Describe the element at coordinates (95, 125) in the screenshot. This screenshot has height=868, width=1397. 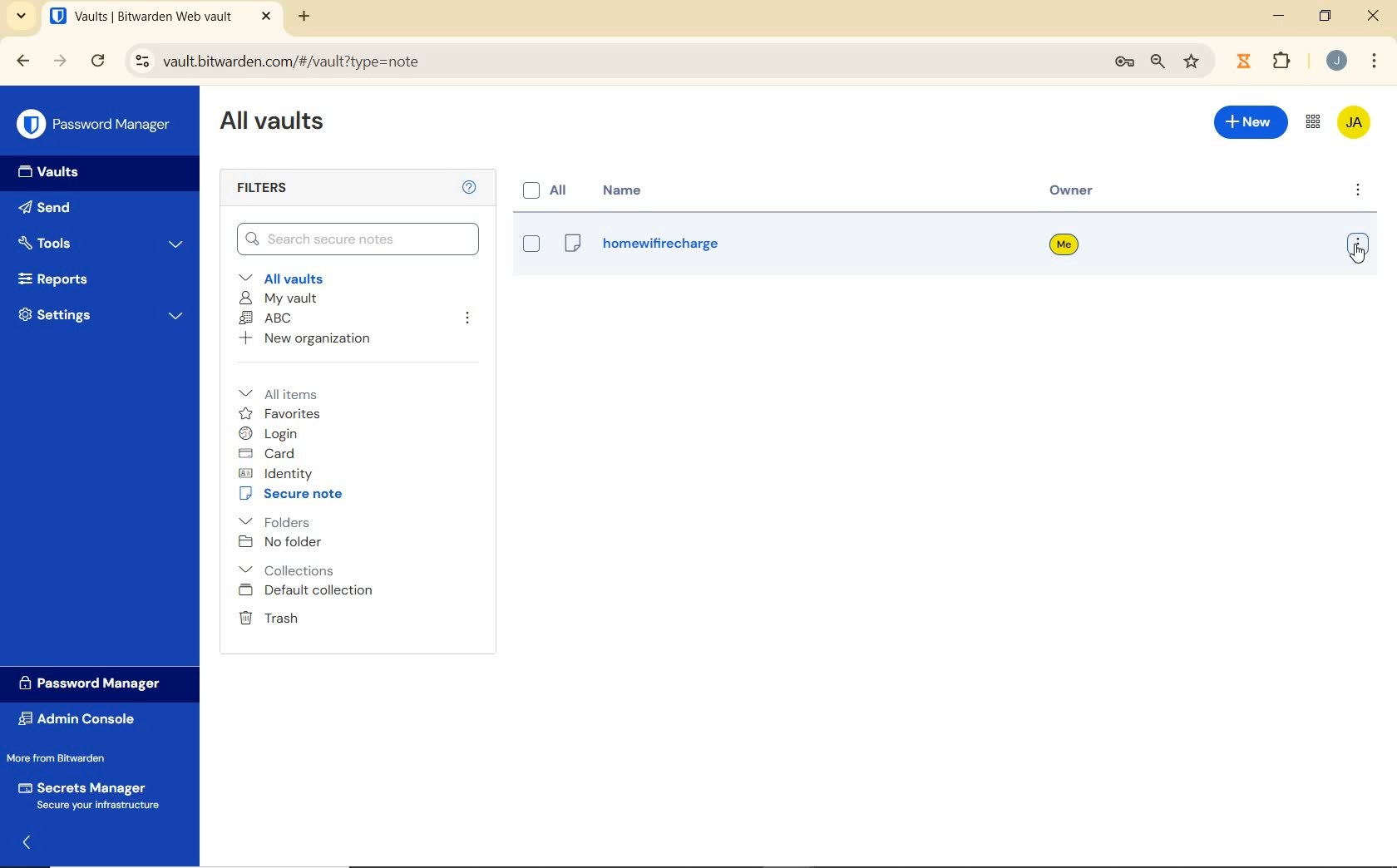
I see `Password Manager` at that location.